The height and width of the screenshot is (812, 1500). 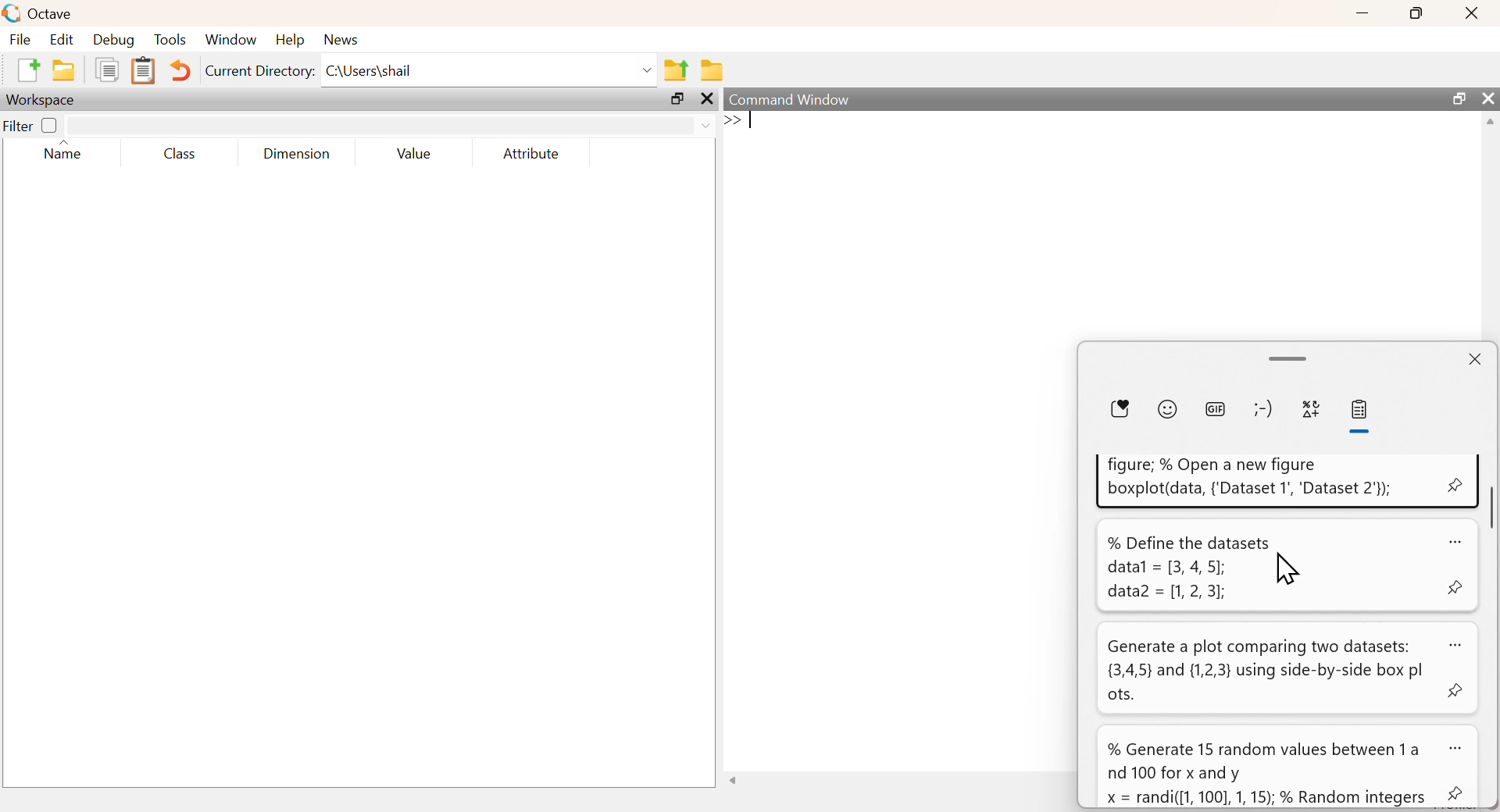 What do you see at coordinates (11, 13) in the screenshot?
I see `Logo` at bounding box center [11, 13].